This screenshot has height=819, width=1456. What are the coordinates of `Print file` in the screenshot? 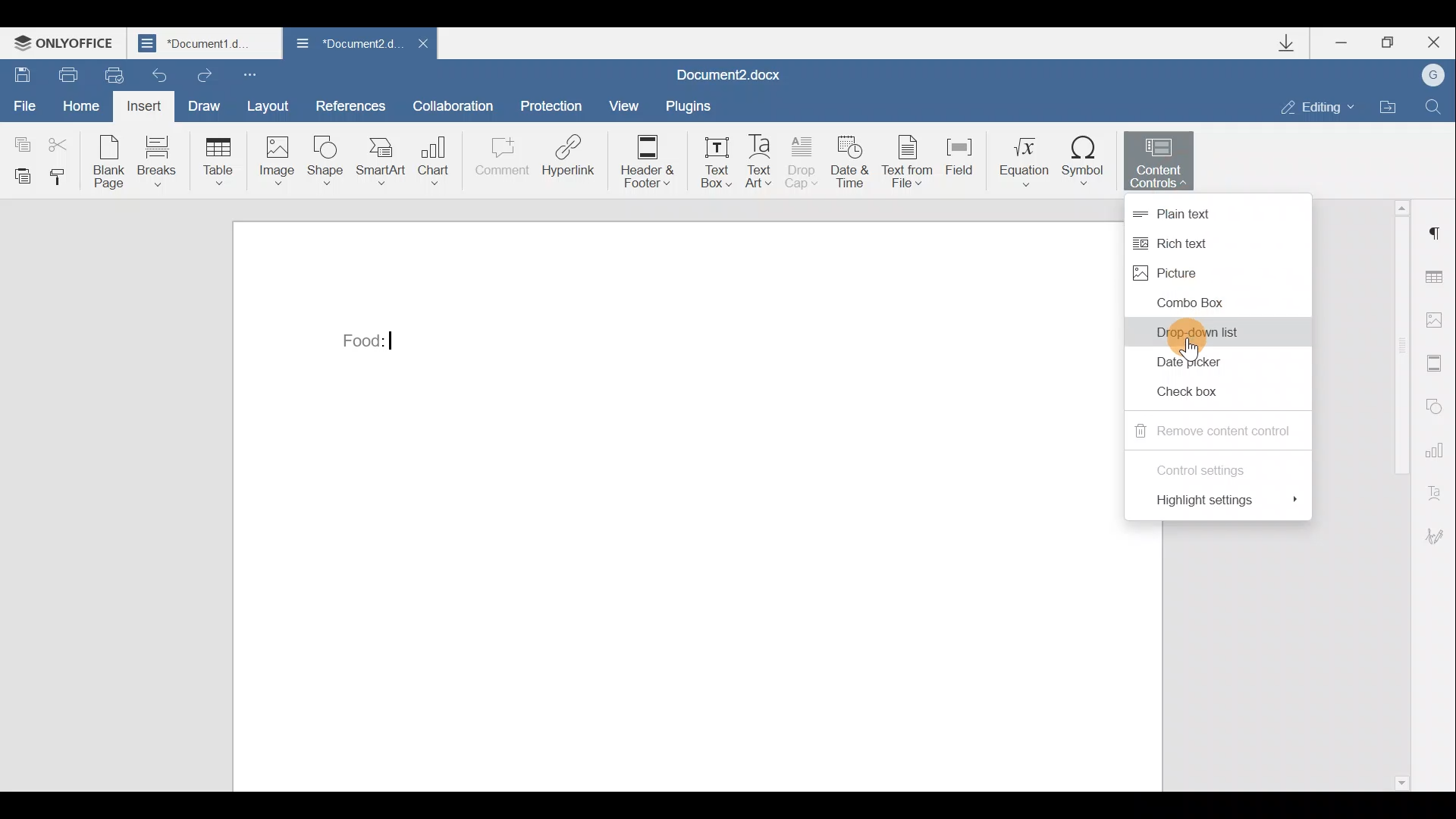 It's located at (60, 74).